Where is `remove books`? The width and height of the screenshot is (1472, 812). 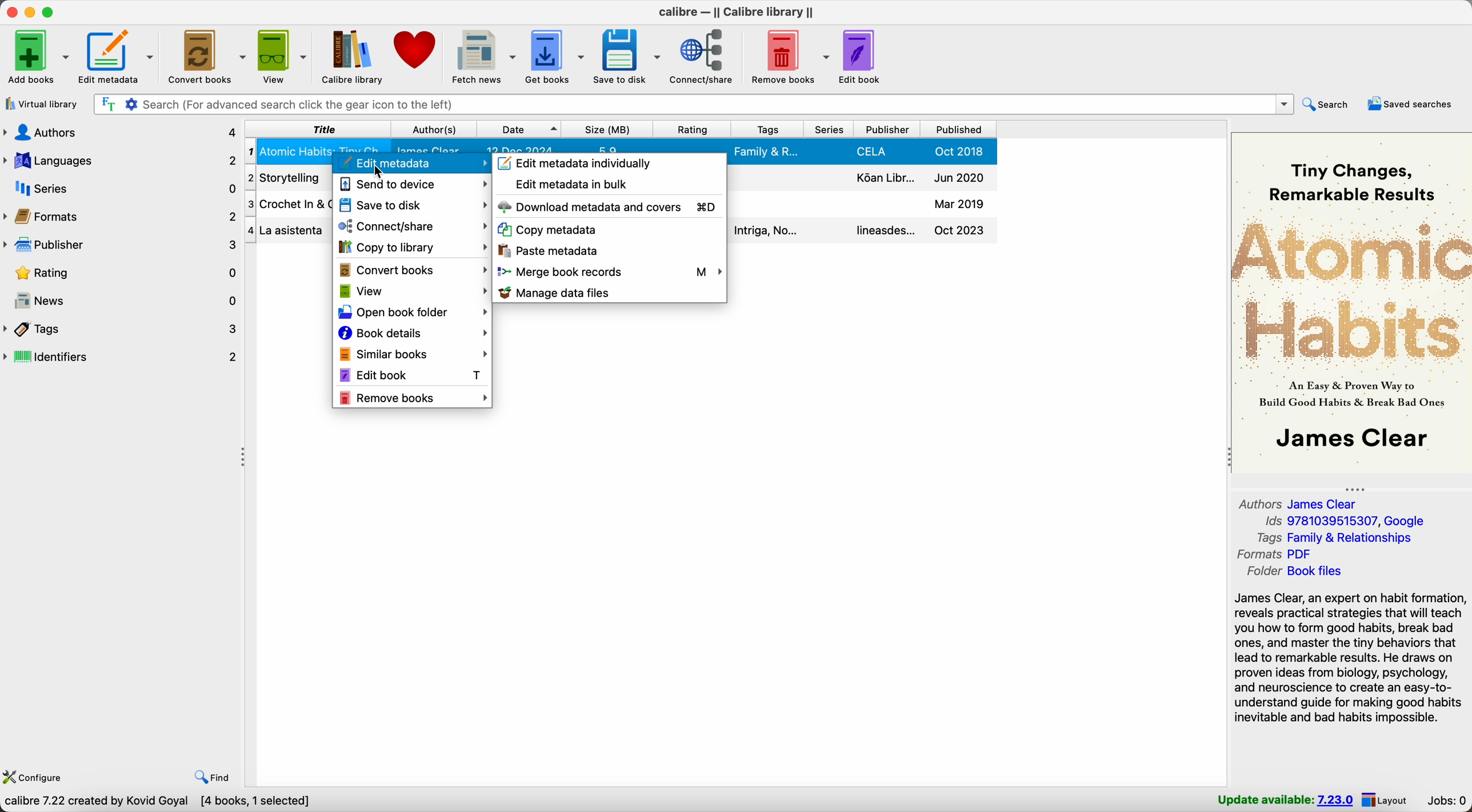 remove books is located at coordinates (414, 399).